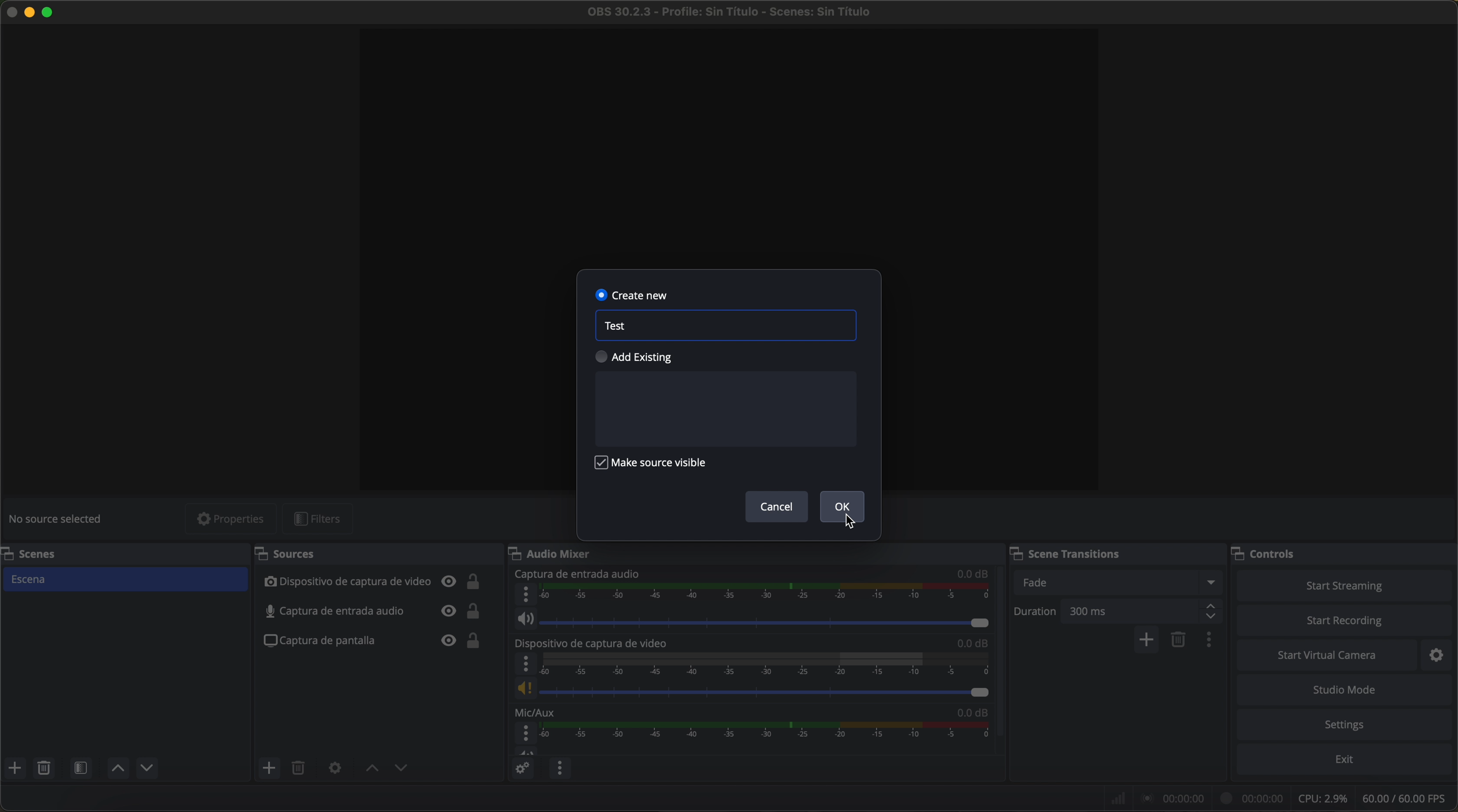  Describe the element at coordinates (15, 768) in the screenshot. I see `add scene` at that location.